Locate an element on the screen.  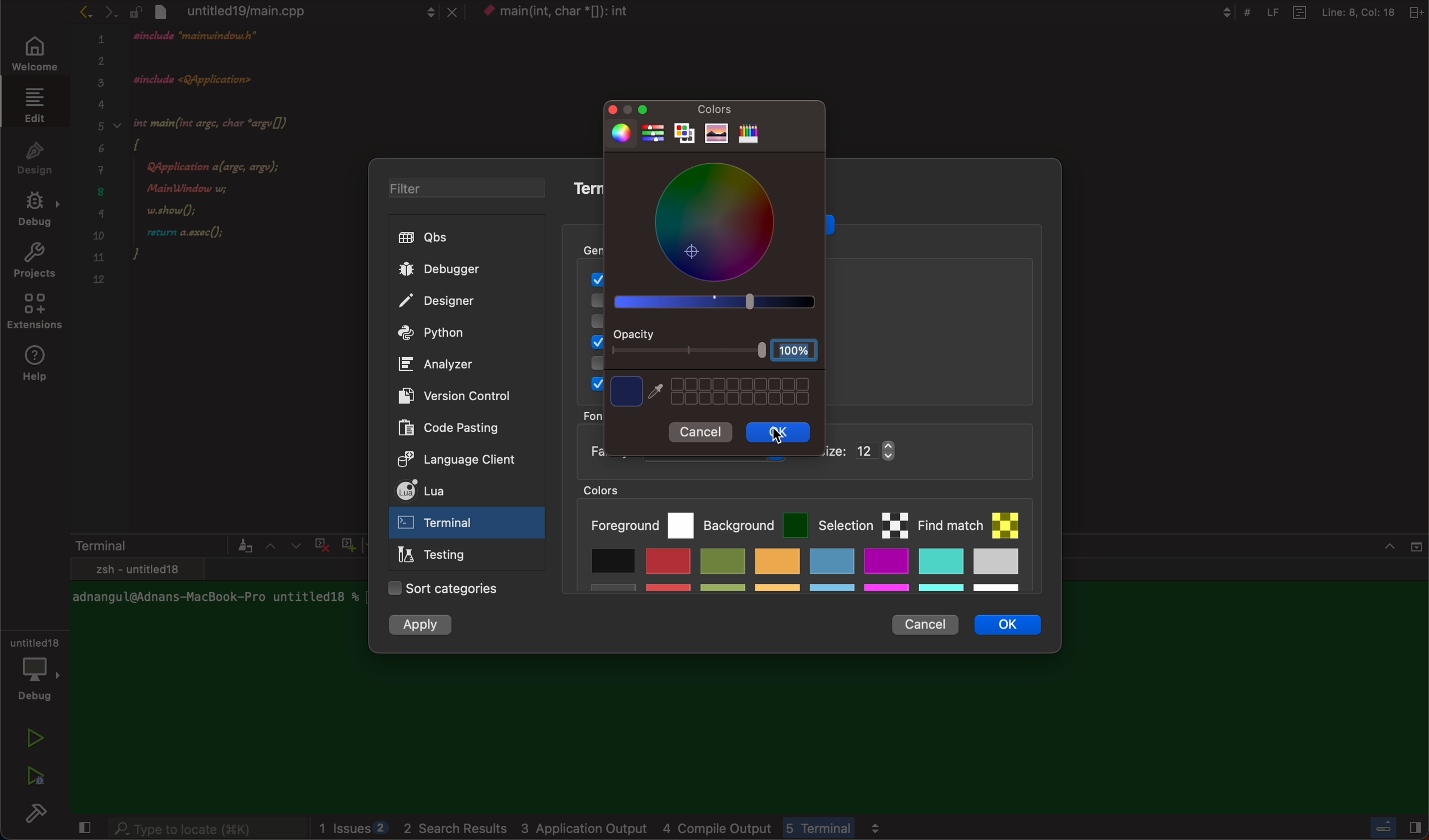
numbers is located at coordinates (100, 166).